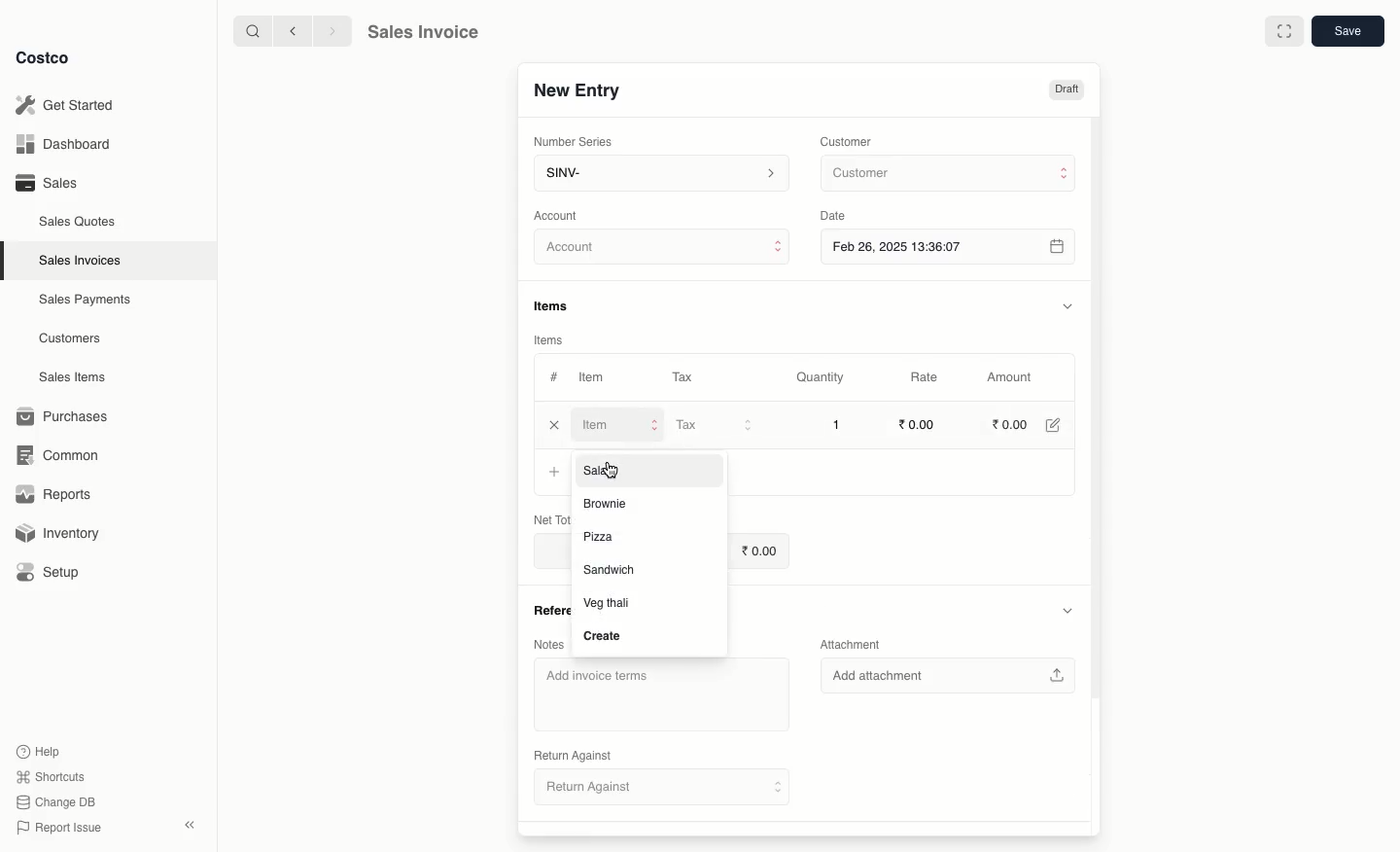  What do you see at coordinates (608, 505) in the screenshot?
I see `Brownie` at bounding box center [608, 505].